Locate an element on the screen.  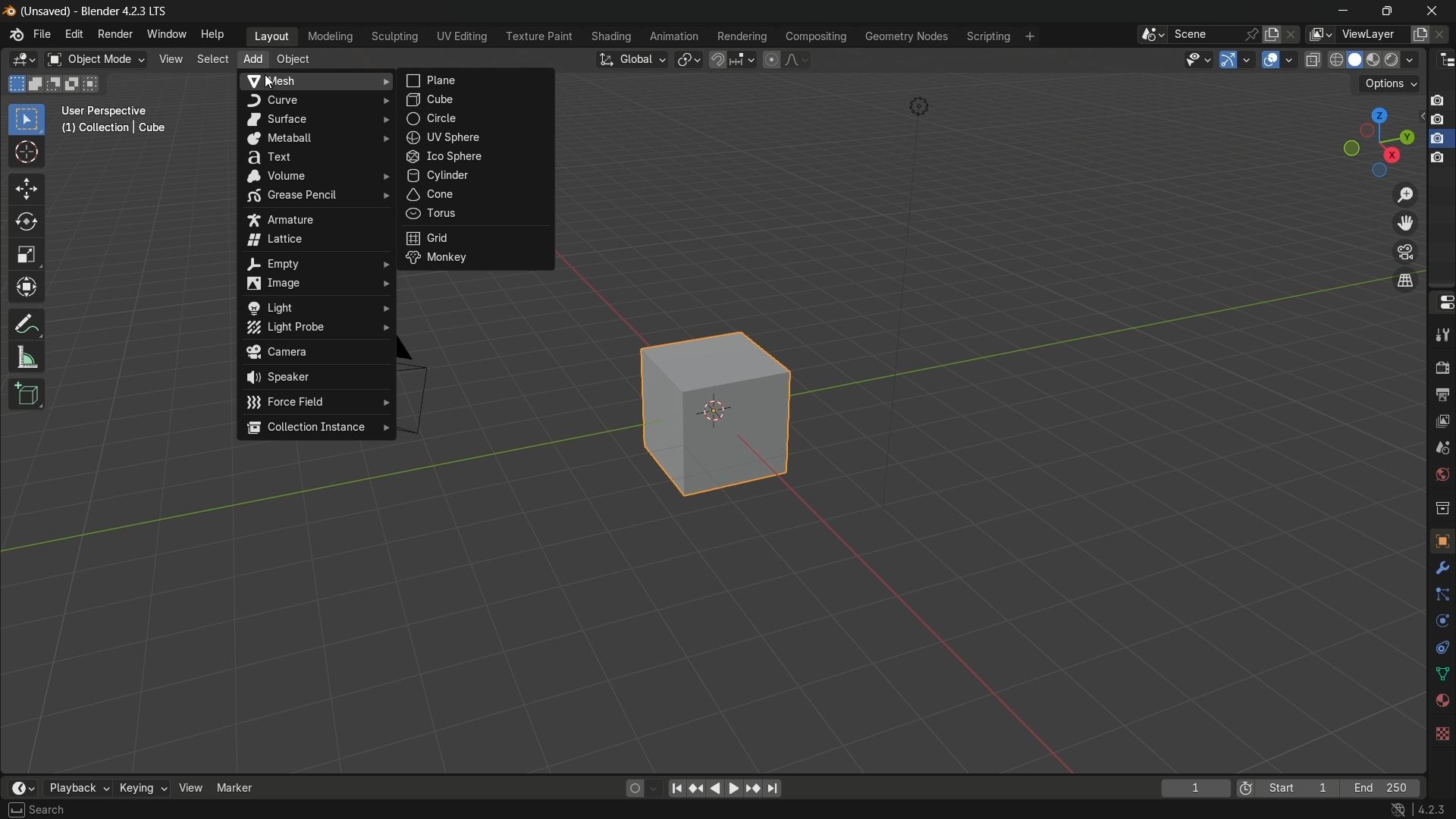
camera is located at coordinates (315, 353).